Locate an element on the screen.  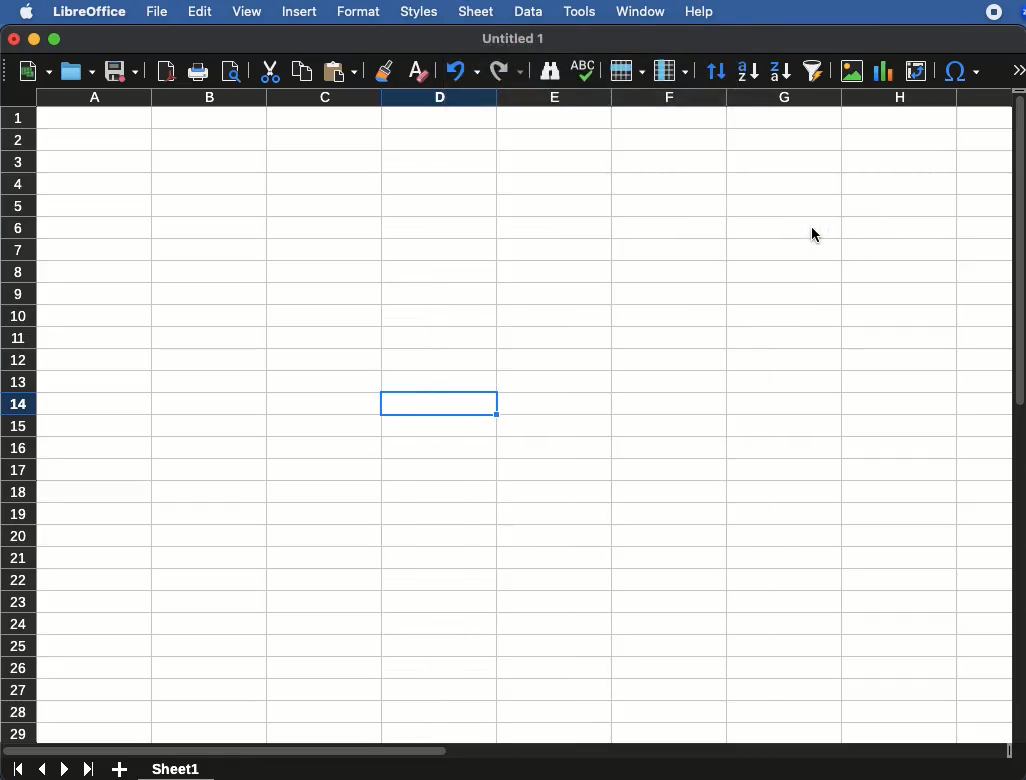
format is located at coordinates (358, 10).